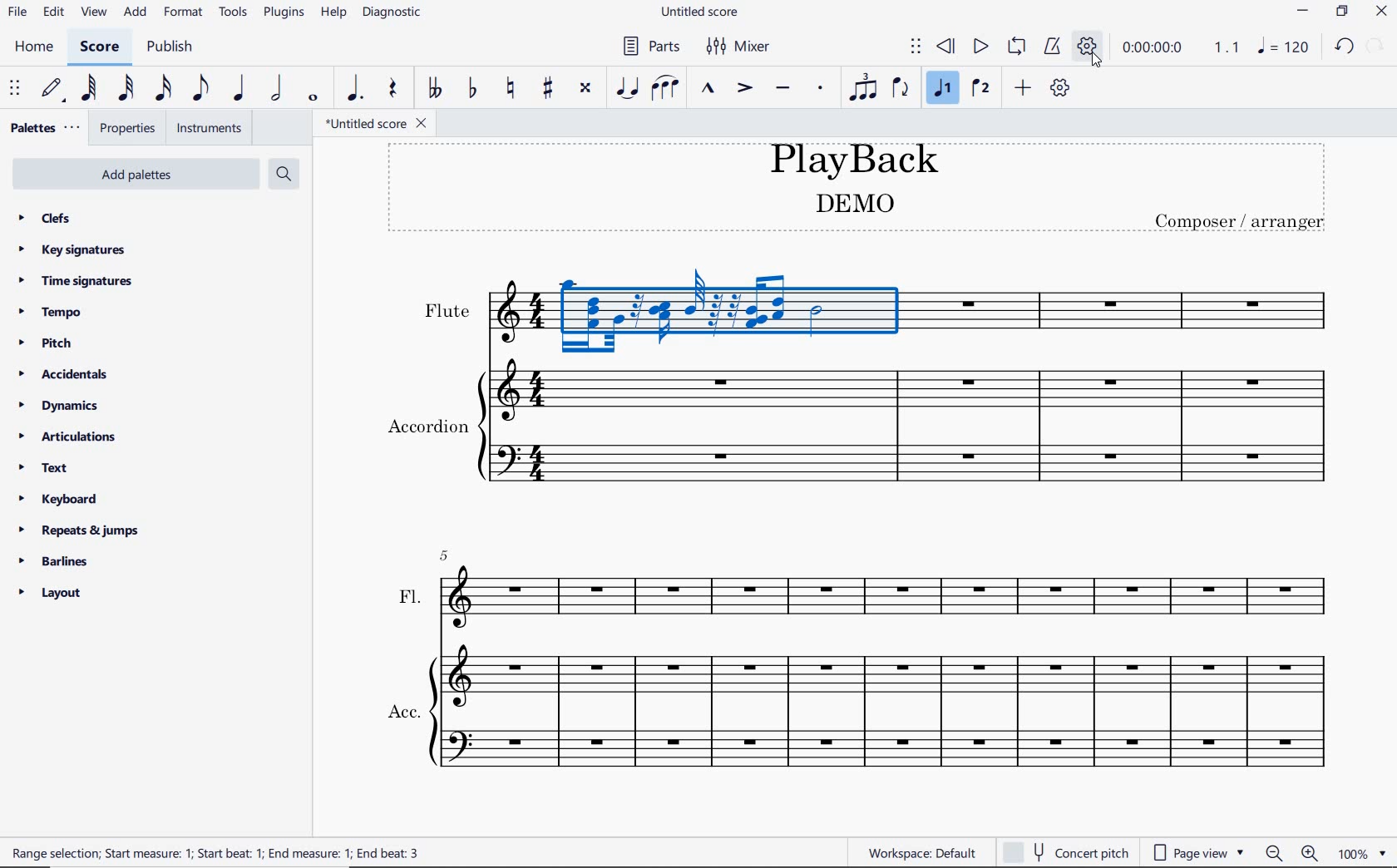  I want to click on tie, so click(628, 89).